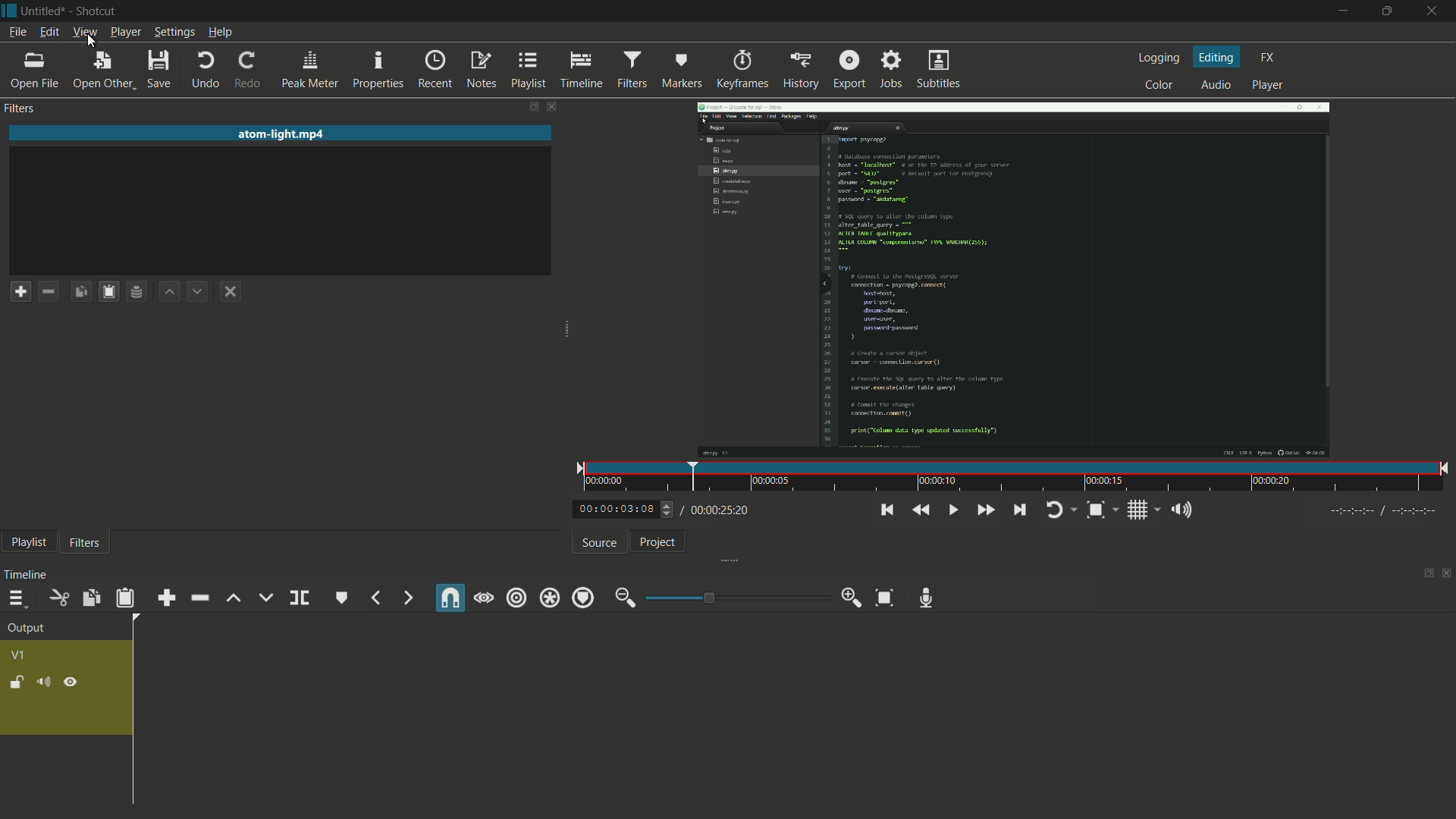 The height and width of the screenshot is (819, 1456). I want to click on overwrite, so click(265, 598).